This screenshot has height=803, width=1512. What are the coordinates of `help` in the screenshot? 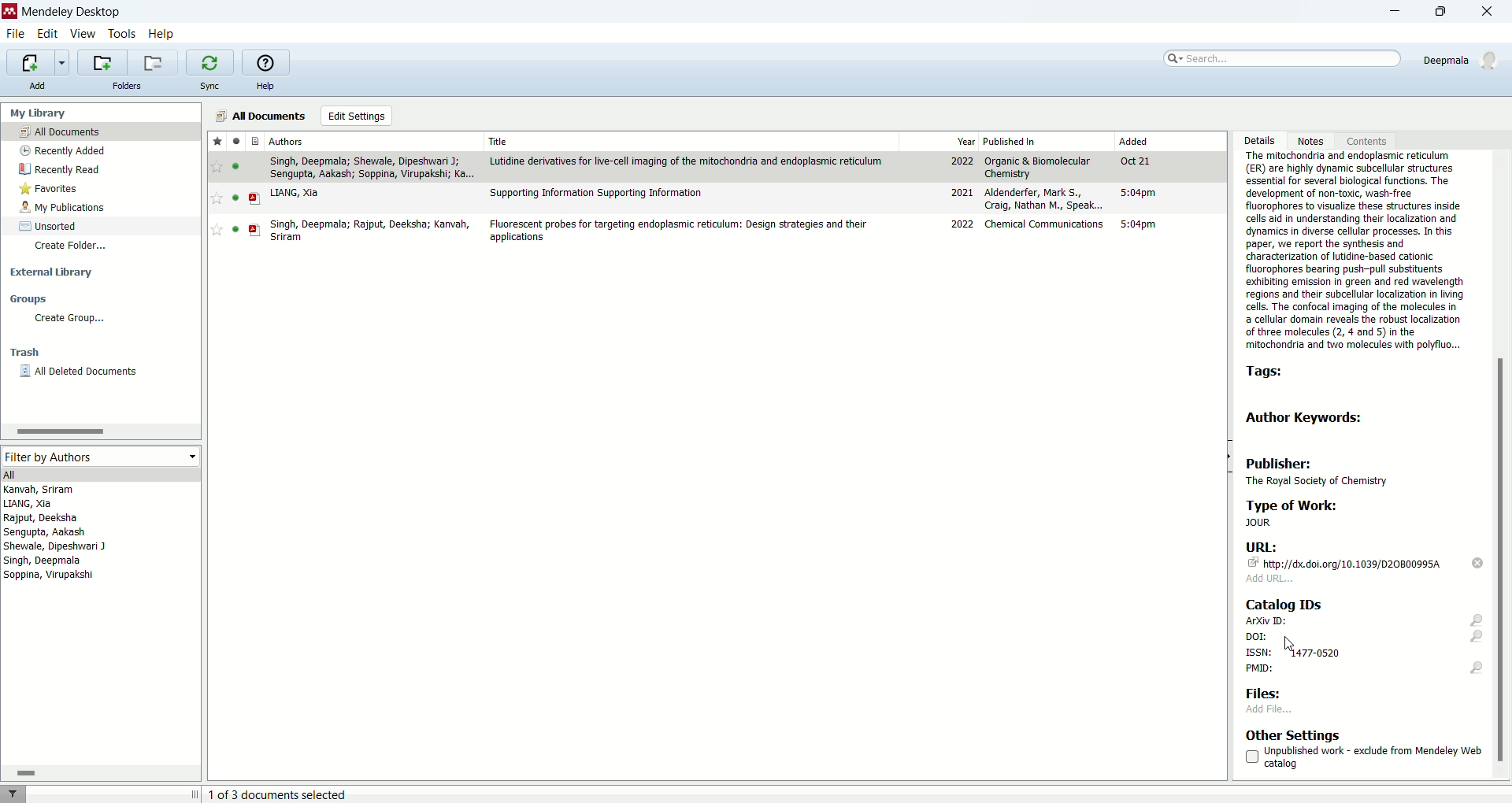 It's located at (265, 87).